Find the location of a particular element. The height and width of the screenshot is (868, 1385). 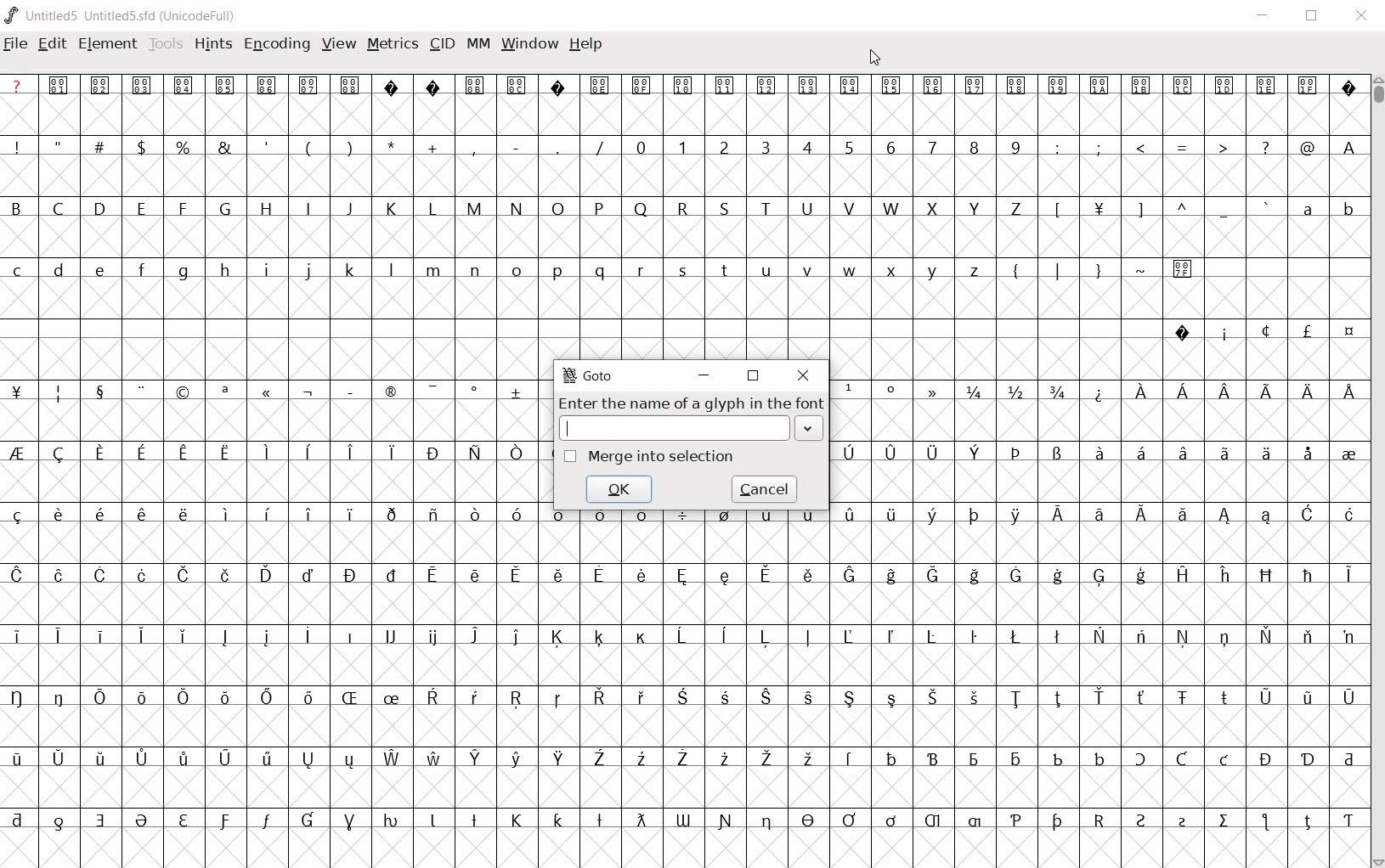

Symbol is located at coordinates (59, 697).